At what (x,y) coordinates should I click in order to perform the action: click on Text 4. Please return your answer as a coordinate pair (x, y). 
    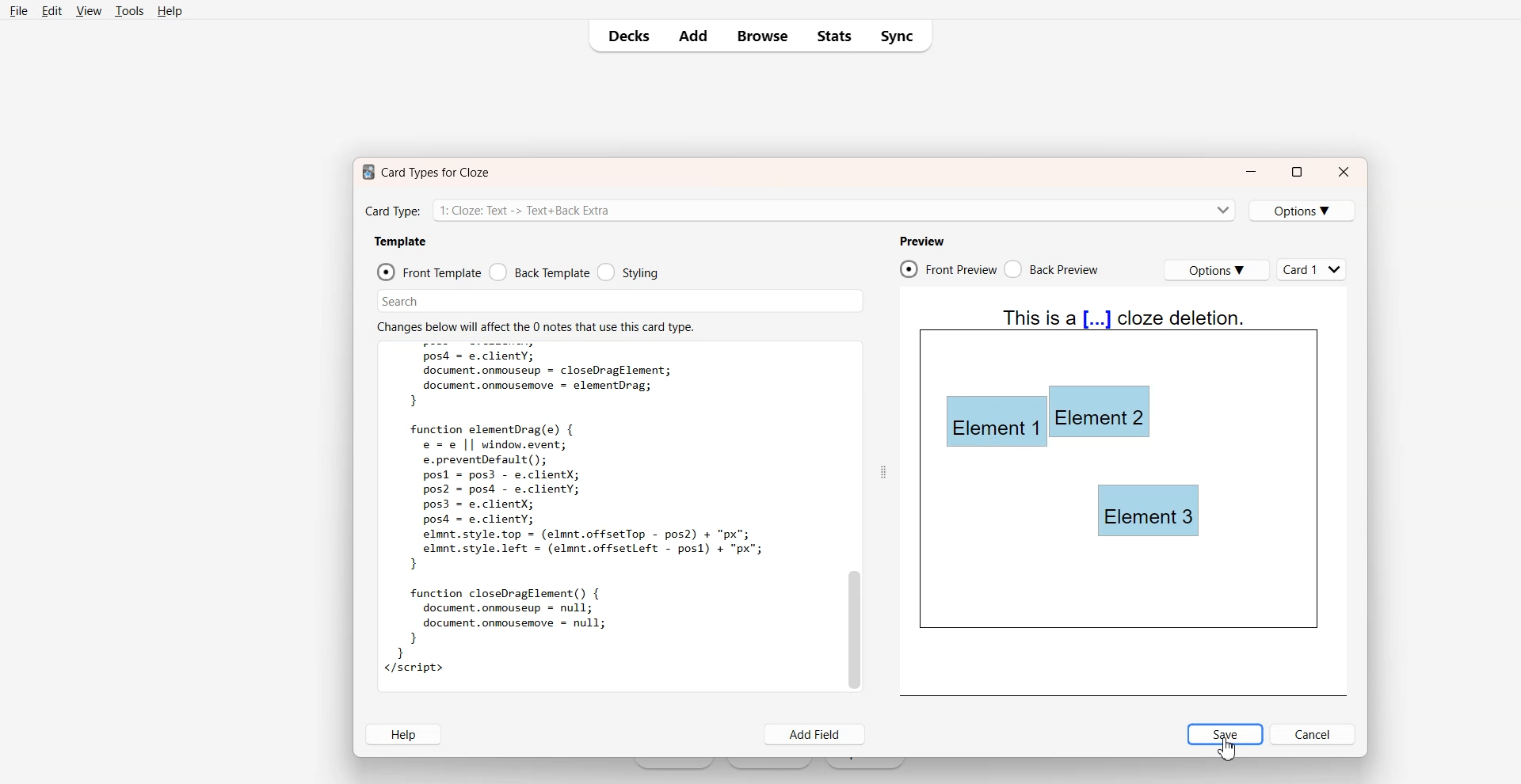
    Looking at the image, I should click on (1125, 326).